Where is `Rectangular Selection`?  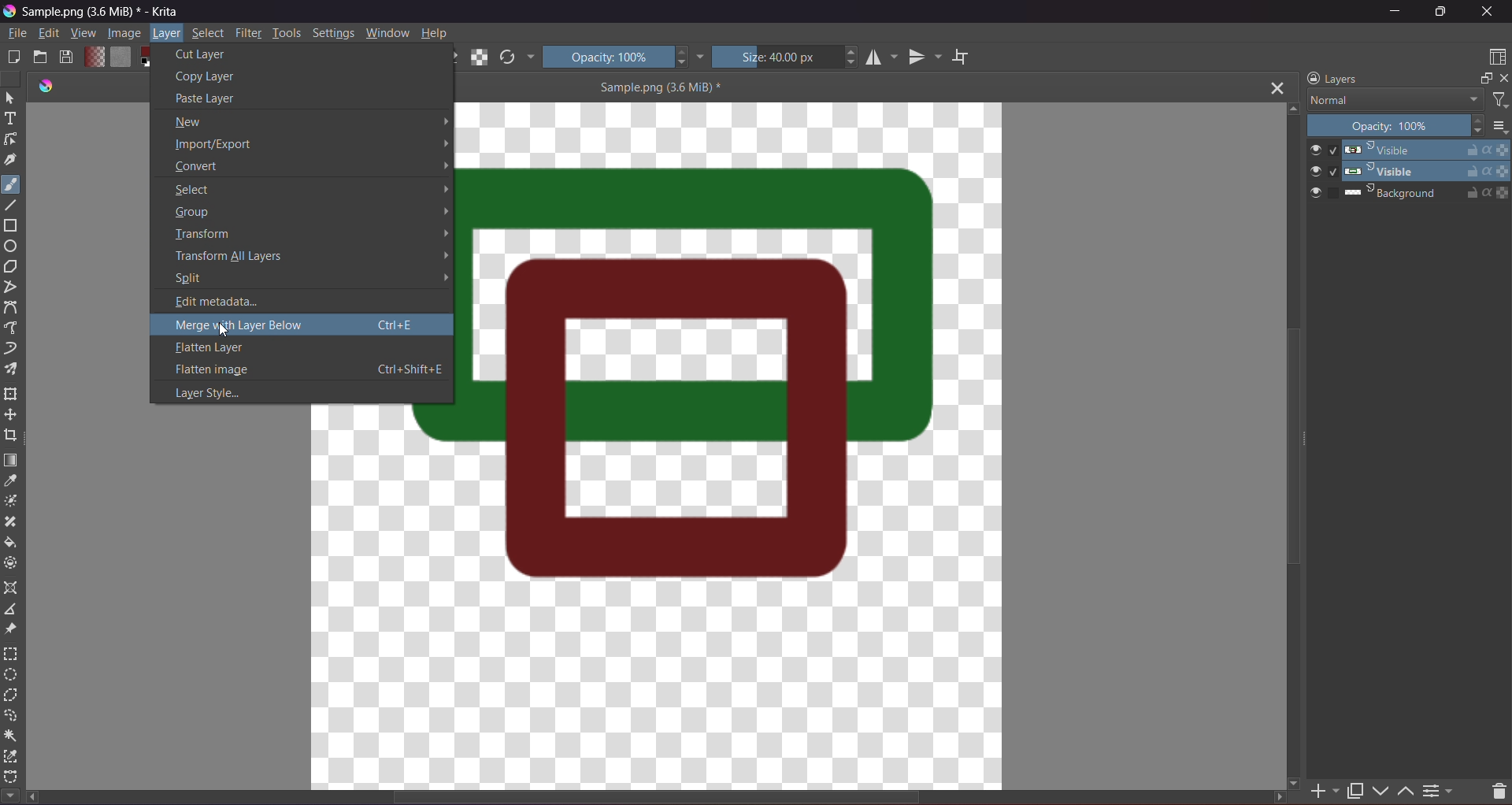 Rectangular Selection is located at coordinates (11, 653).